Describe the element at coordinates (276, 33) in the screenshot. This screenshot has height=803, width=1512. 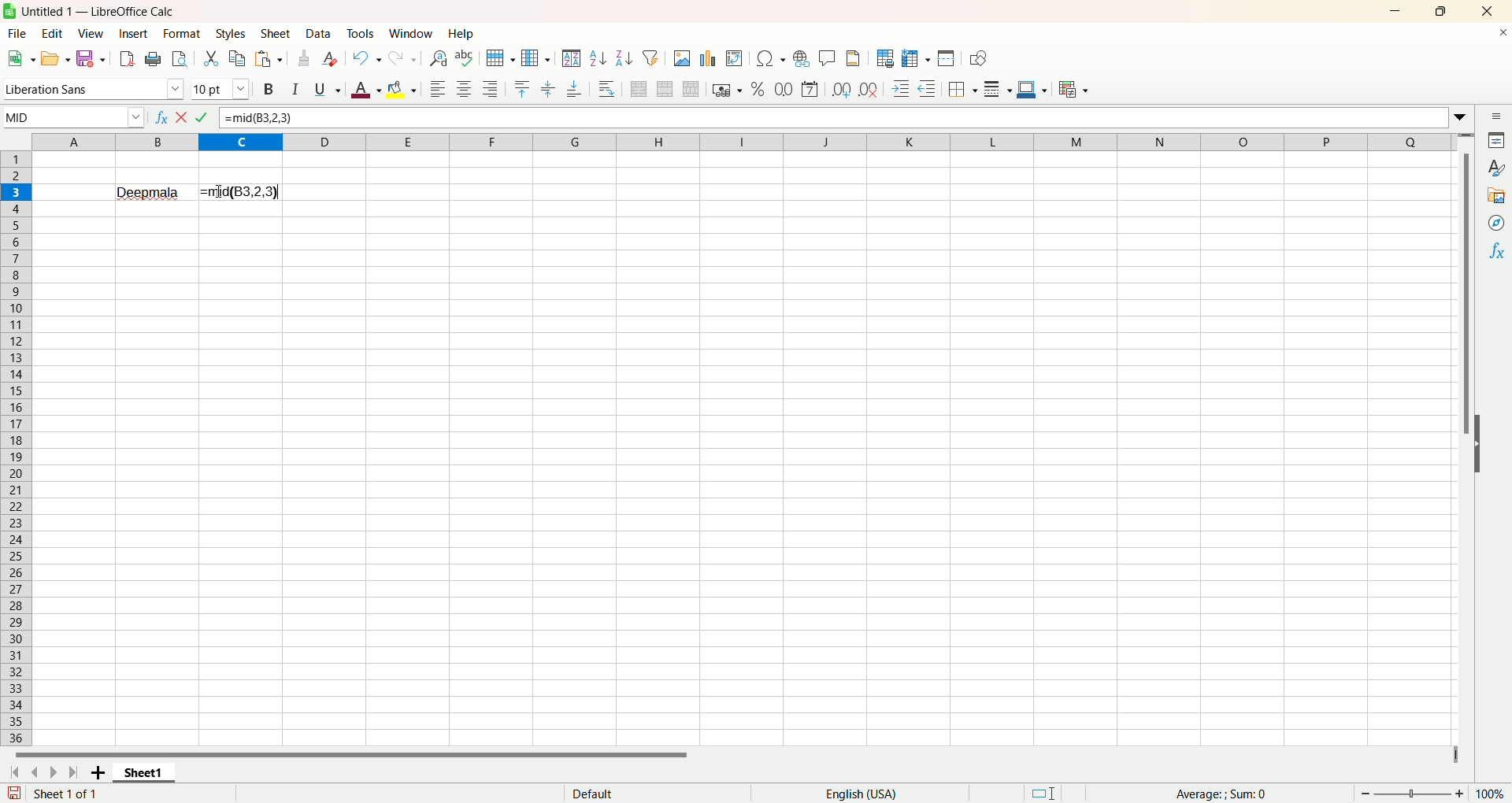
I see `Sheet` at that location.